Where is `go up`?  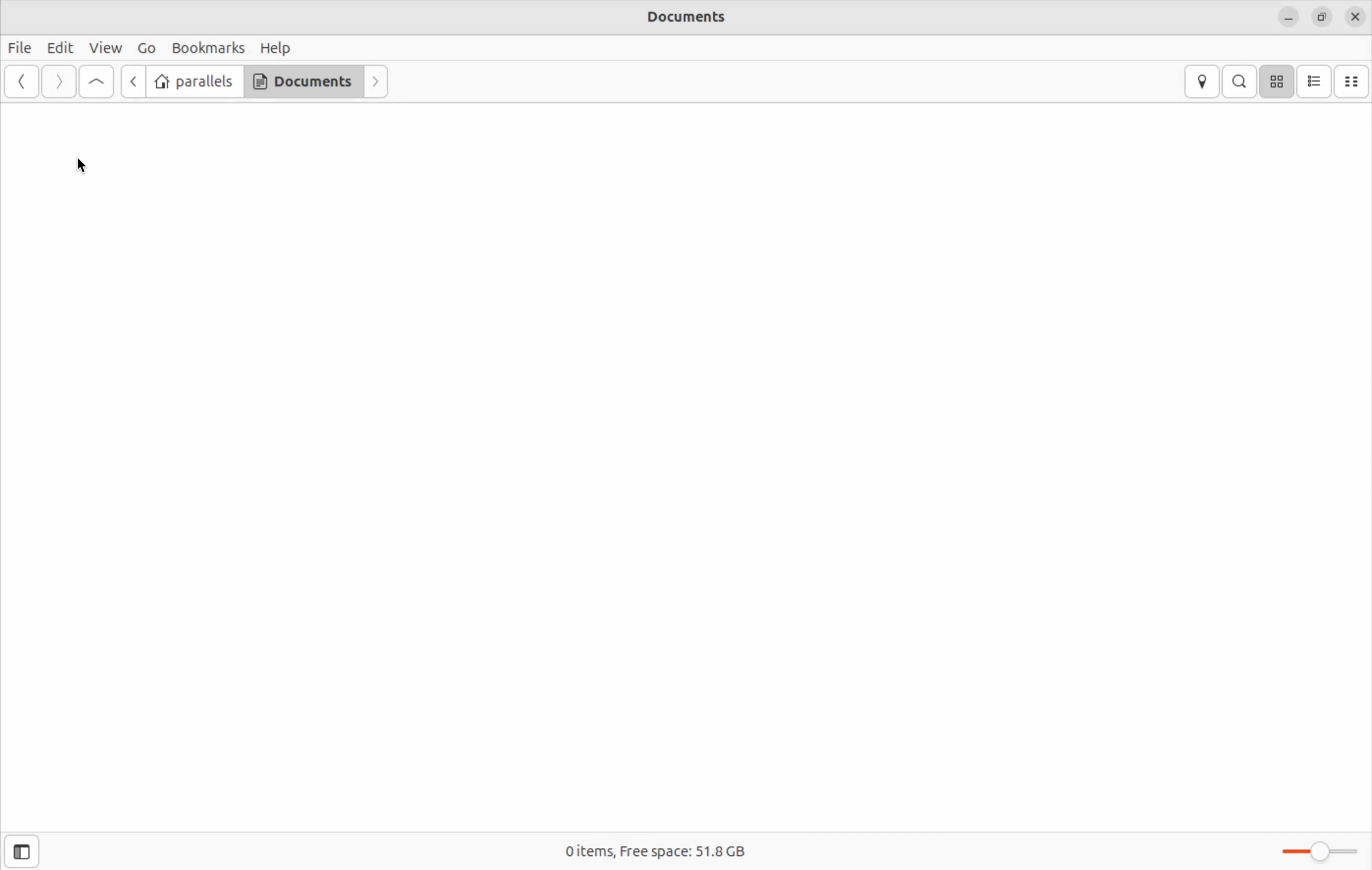
go up is located at coordinates (94, 81).